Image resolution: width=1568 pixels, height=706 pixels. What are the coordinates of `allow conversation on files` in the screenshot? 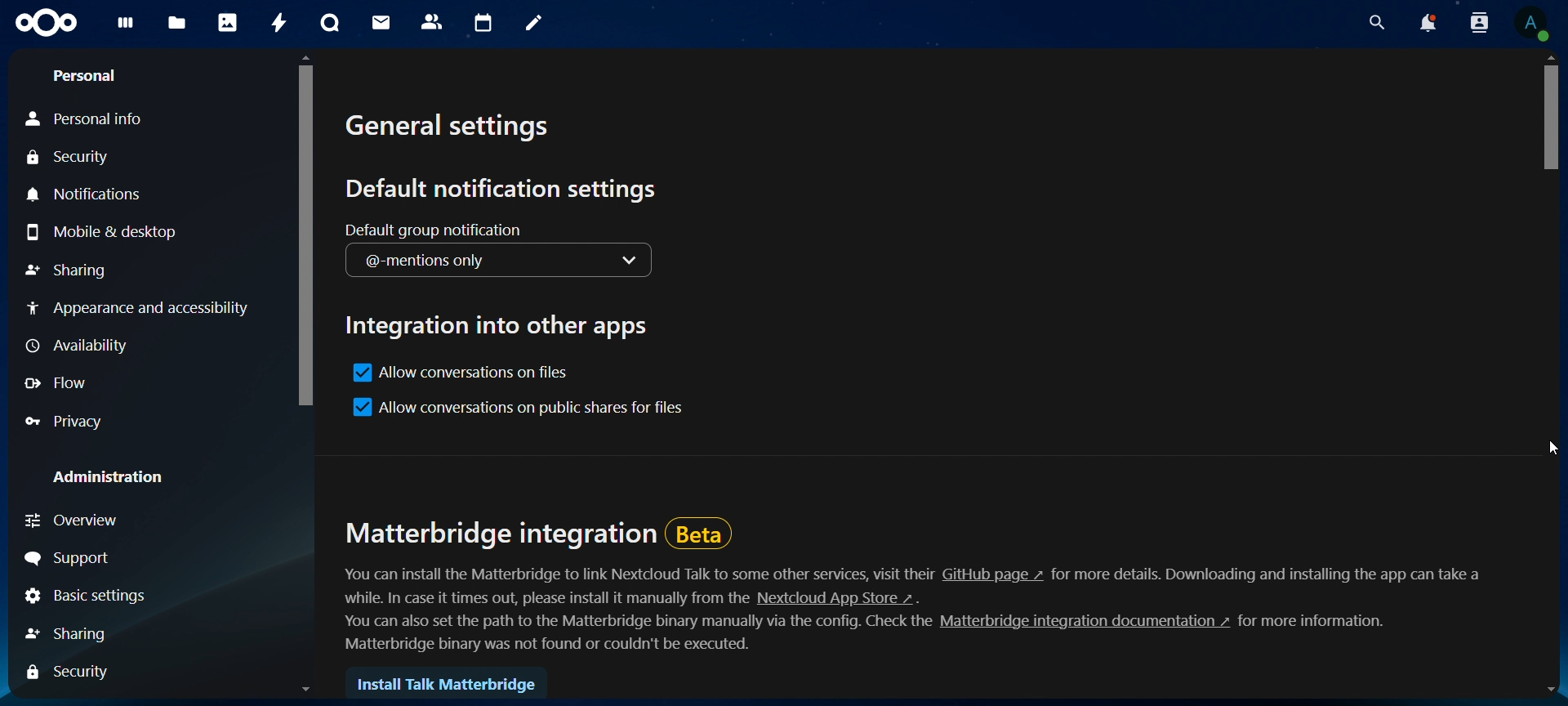 It's located at (460, 373).